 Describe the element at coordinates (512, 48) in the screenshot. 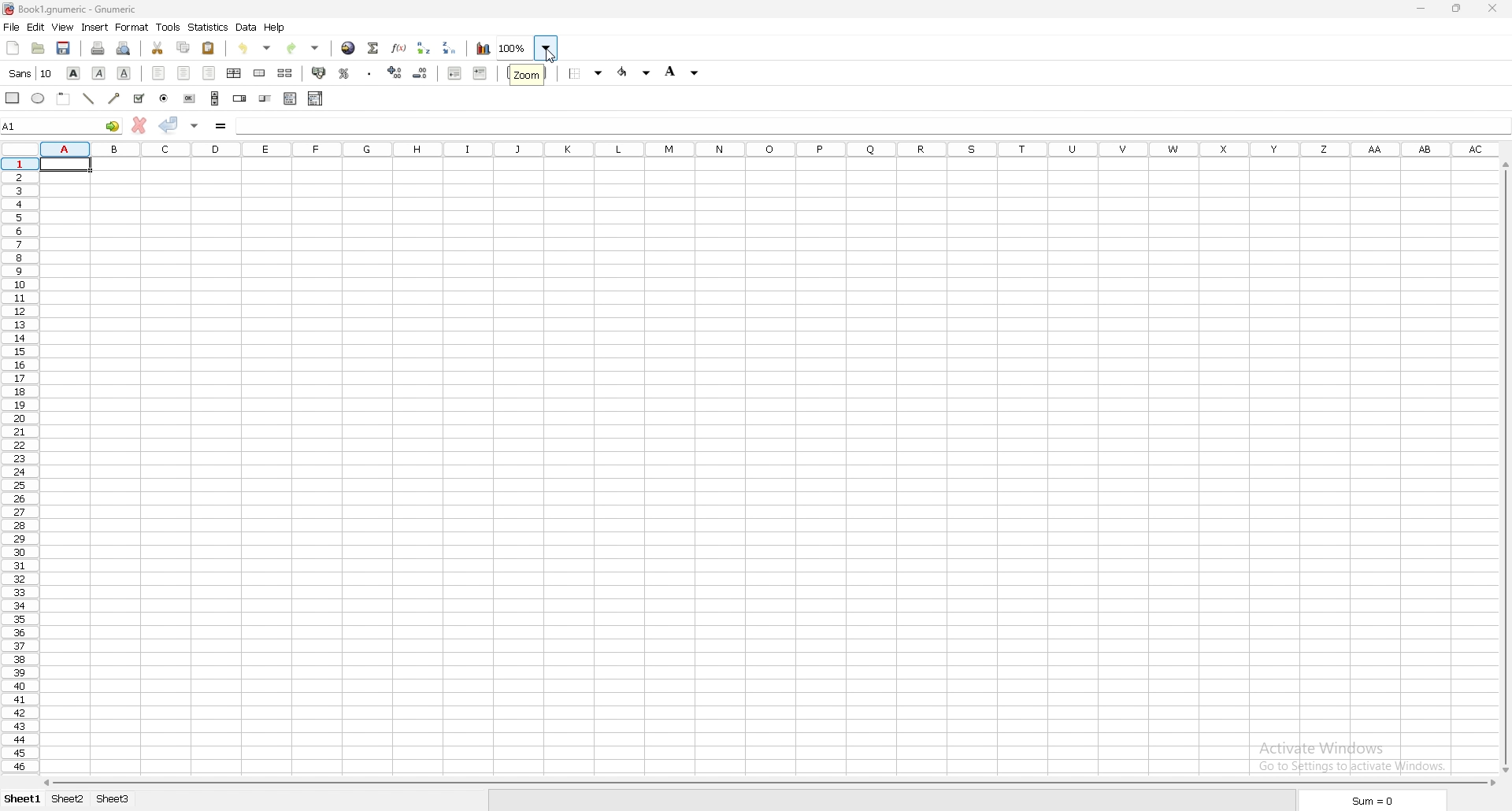

I see `zoom 100%` at that location.